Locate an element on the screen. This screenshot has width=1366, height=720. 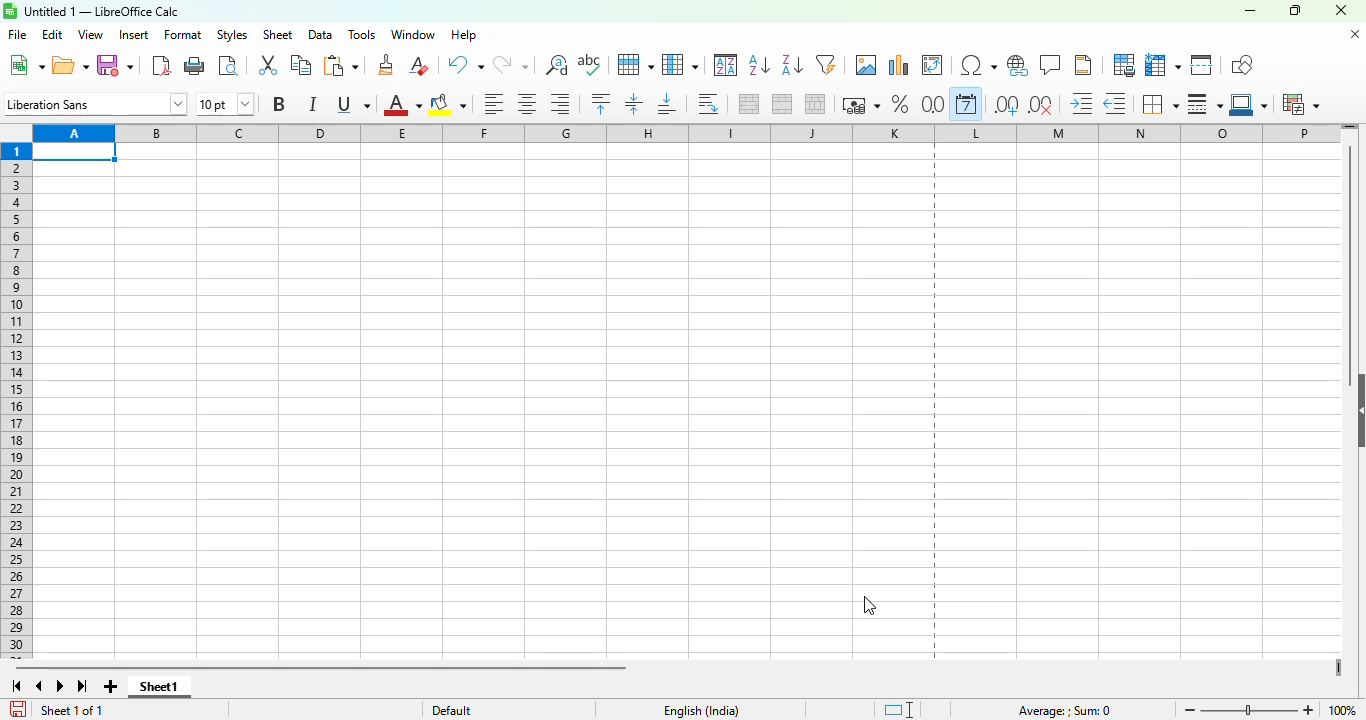
standard selection is located at coordinates (897, 709).